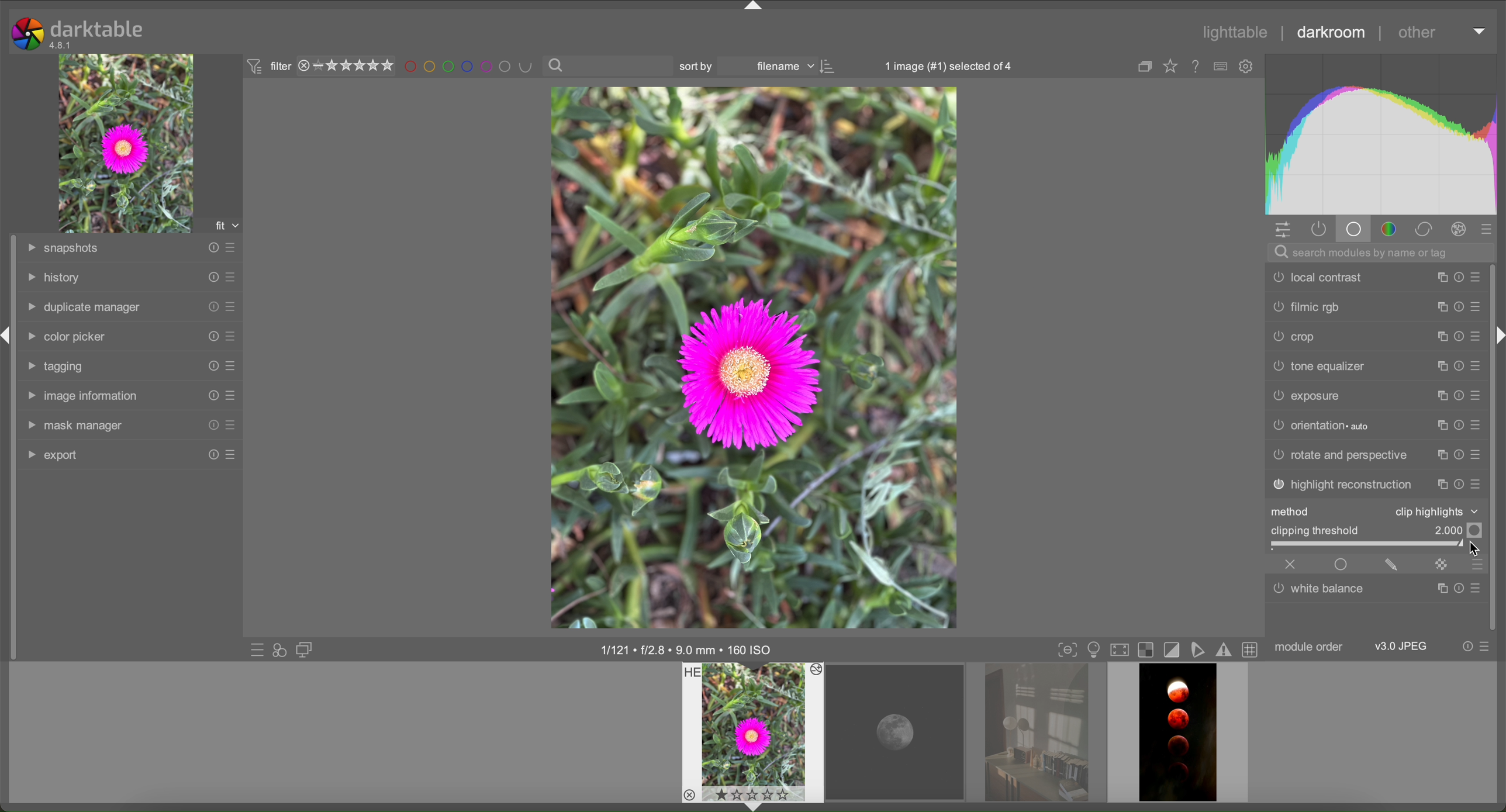  What do you see at coordinates (1488, 647) in the screenshot?
I see `presets` at bounding box center [1488, 647].